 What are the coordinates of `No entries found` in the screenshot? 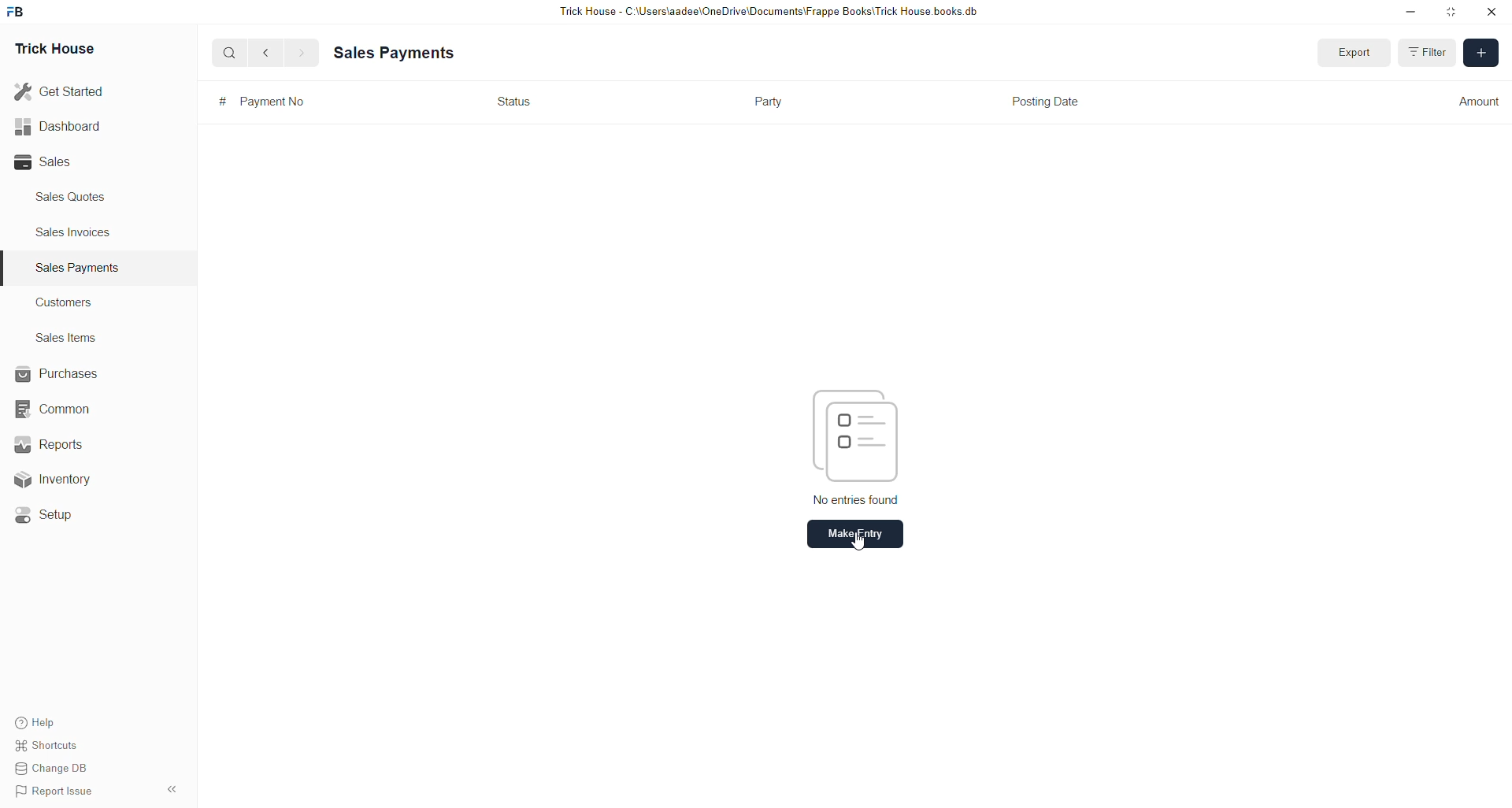 It's located at (858, 501).